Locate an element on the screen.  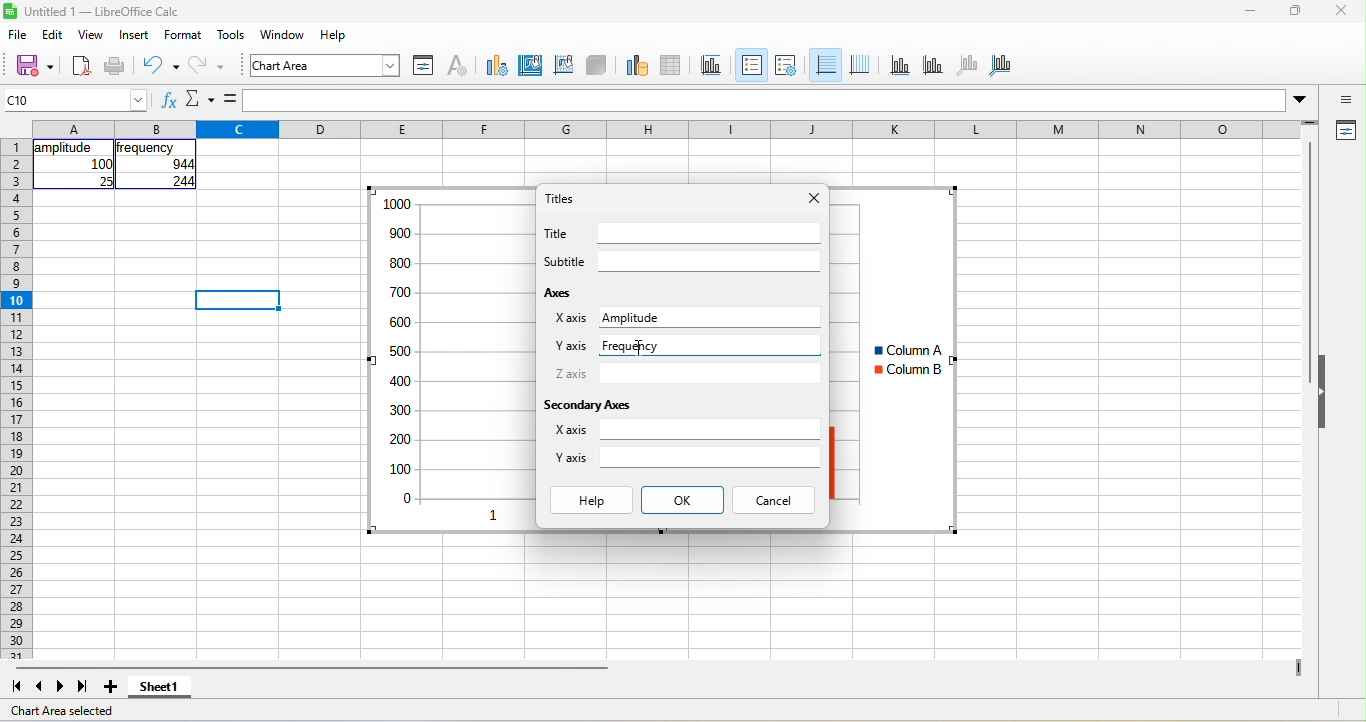
Selected cell highlighted is located at coordinates (237, 300).